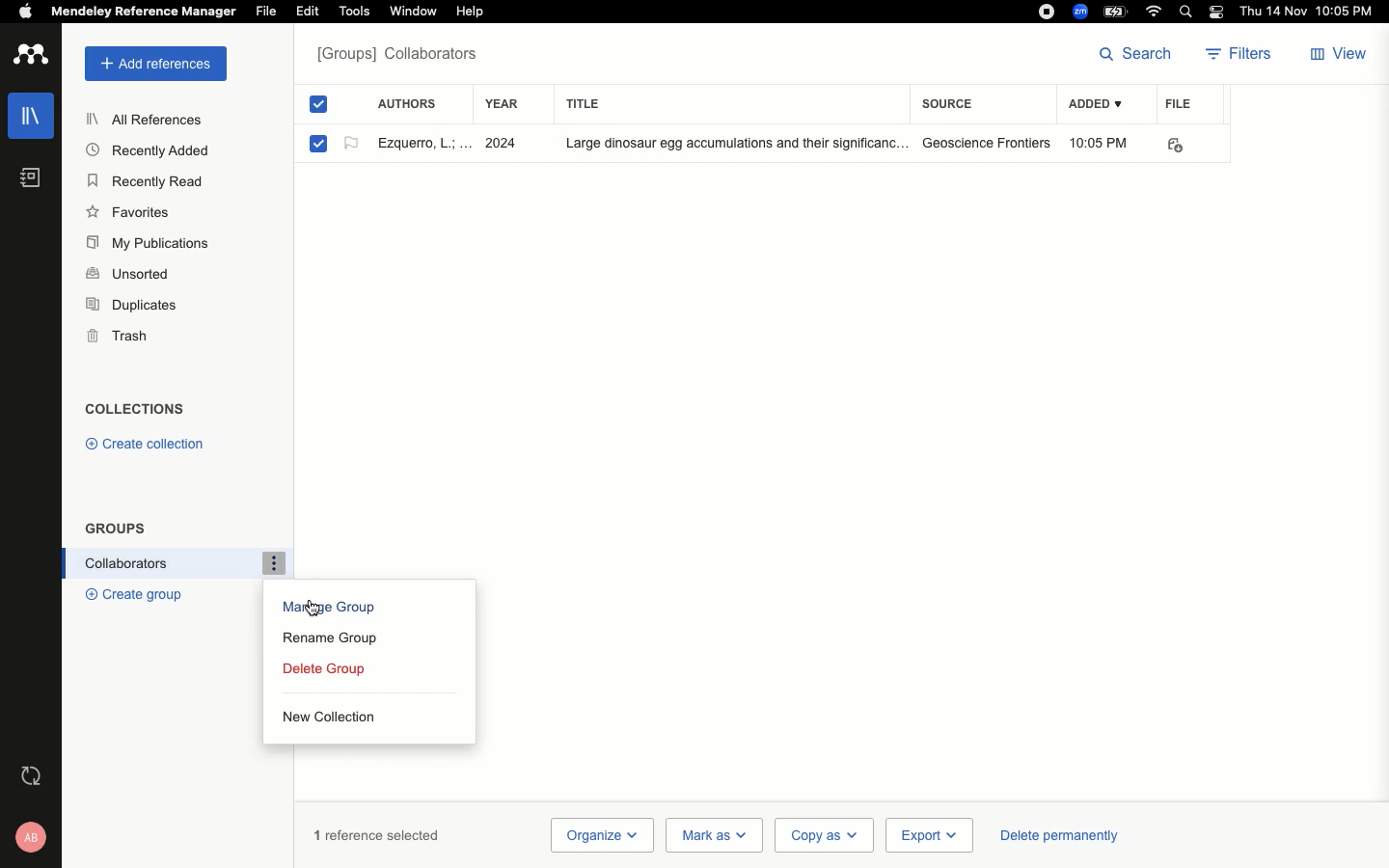  What do you see at coordinates (151, 64) in the screenshot?
I see `Add references` at bounding box center [151, 64].